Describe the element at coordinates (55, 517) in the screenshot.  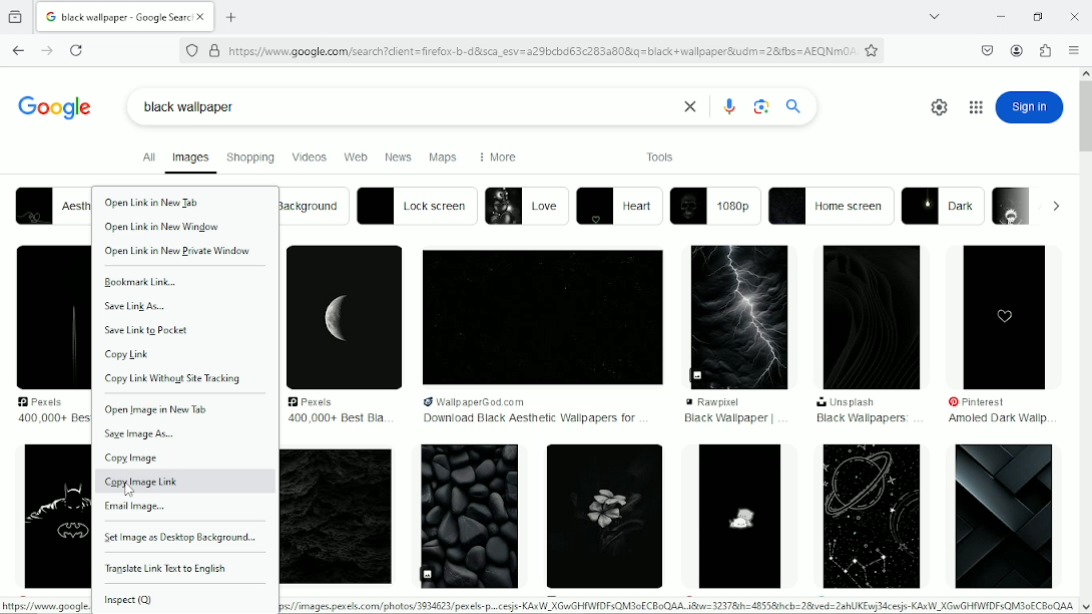
I see `black wallpaper image` at that location.